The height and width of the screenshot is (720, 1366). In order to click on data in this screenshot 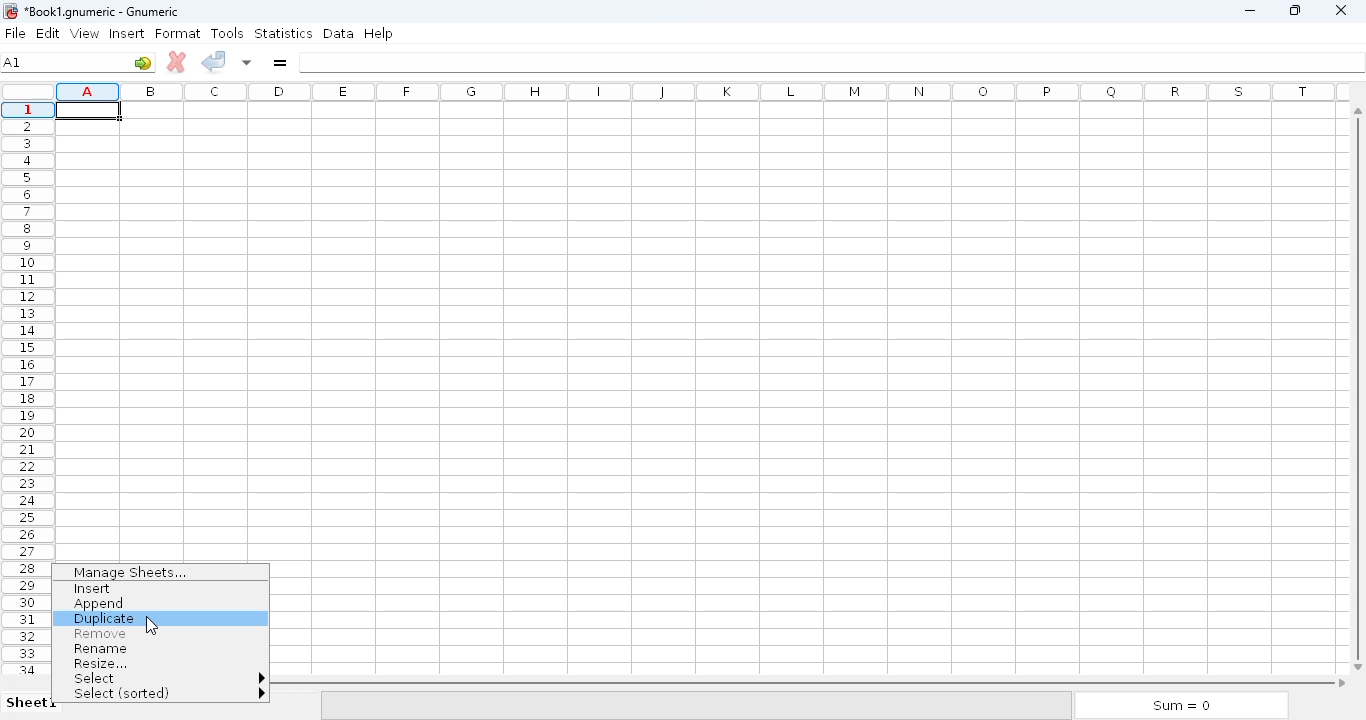, I will do `click(339, 33)`.